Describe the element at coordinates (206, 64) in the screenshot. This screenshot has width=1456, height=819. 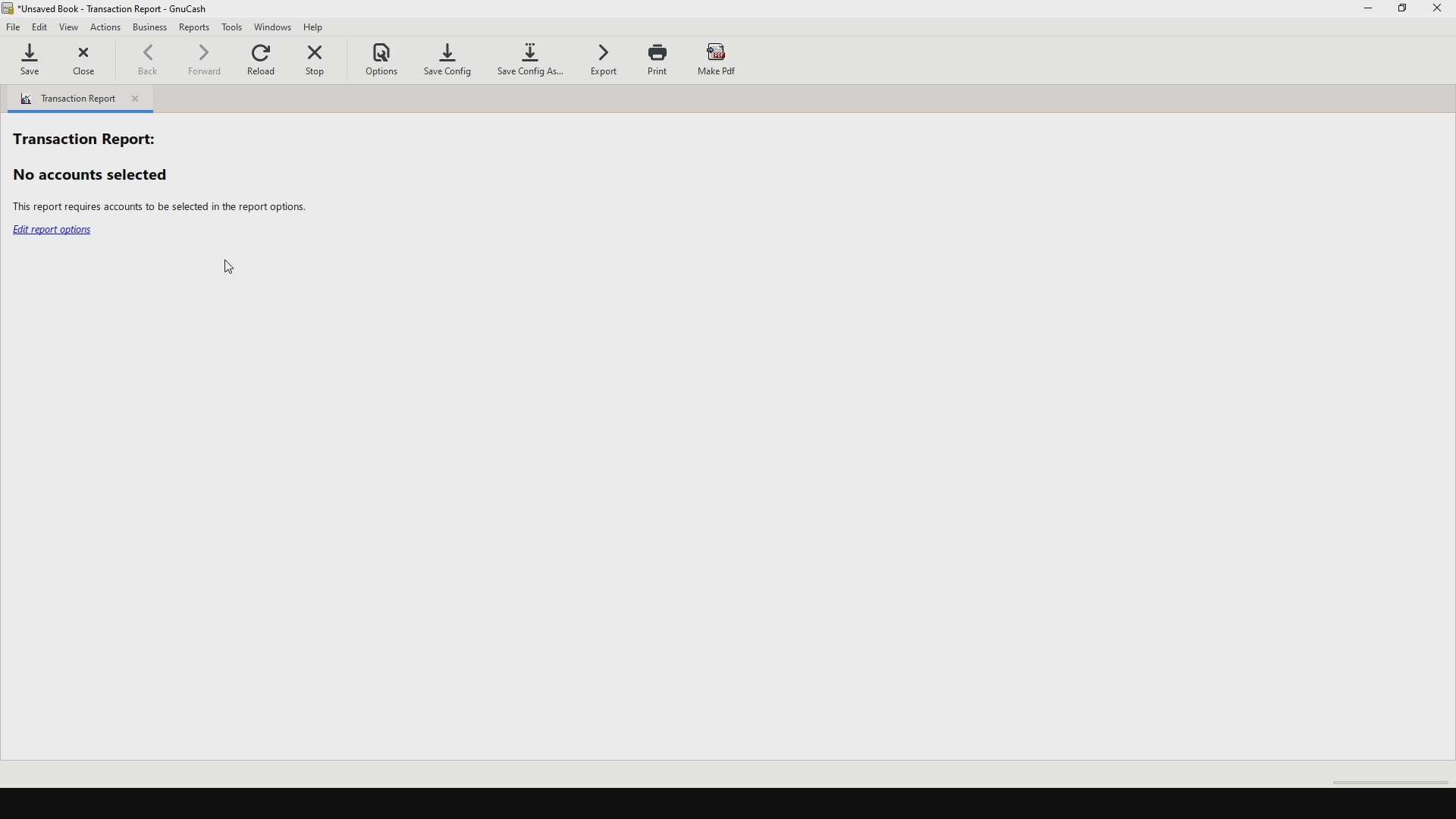
I see `forward` at that location.